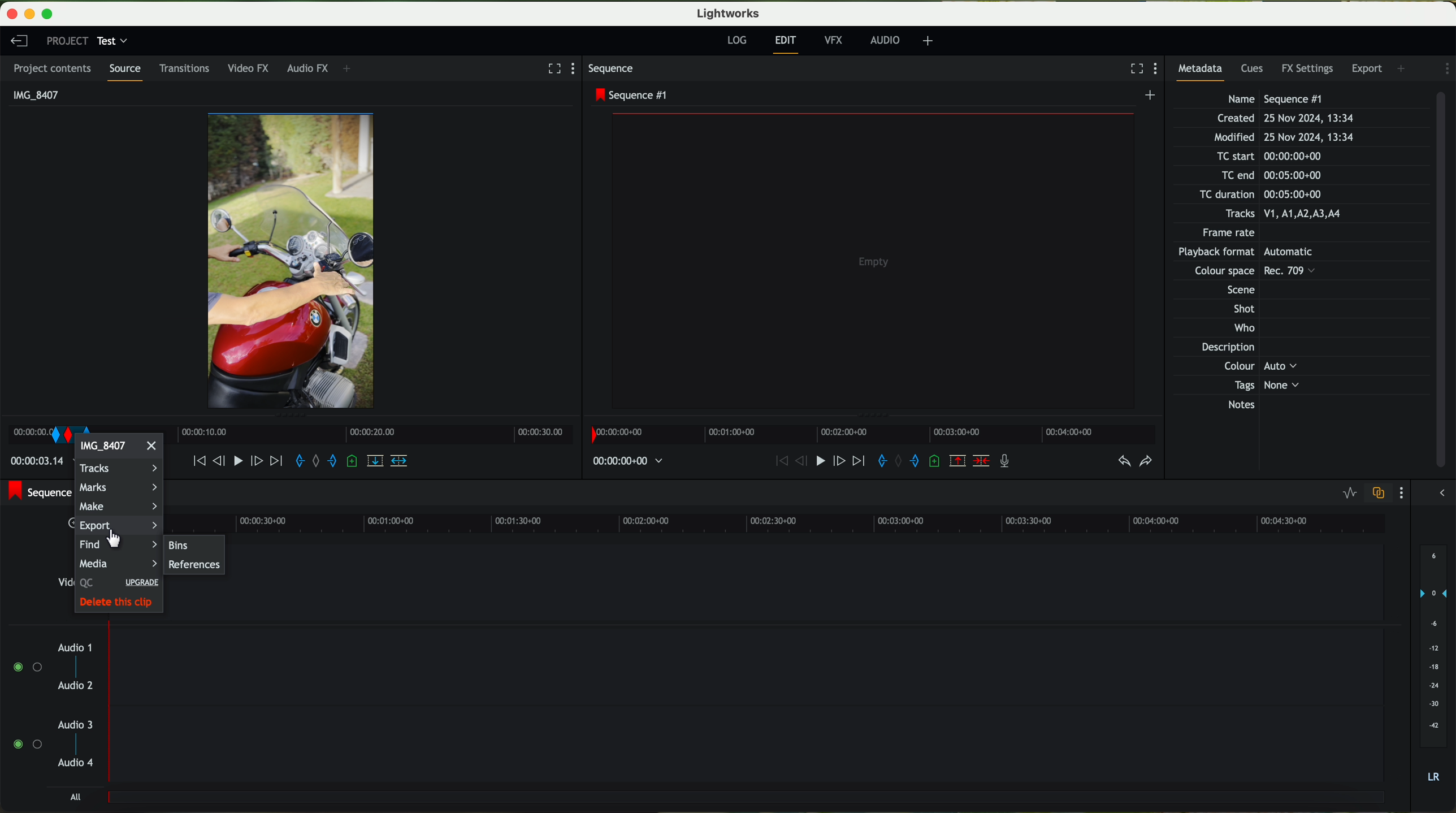 The width and height of the screenshot is (1456, 813). I want to click on , so click(1258, 366).